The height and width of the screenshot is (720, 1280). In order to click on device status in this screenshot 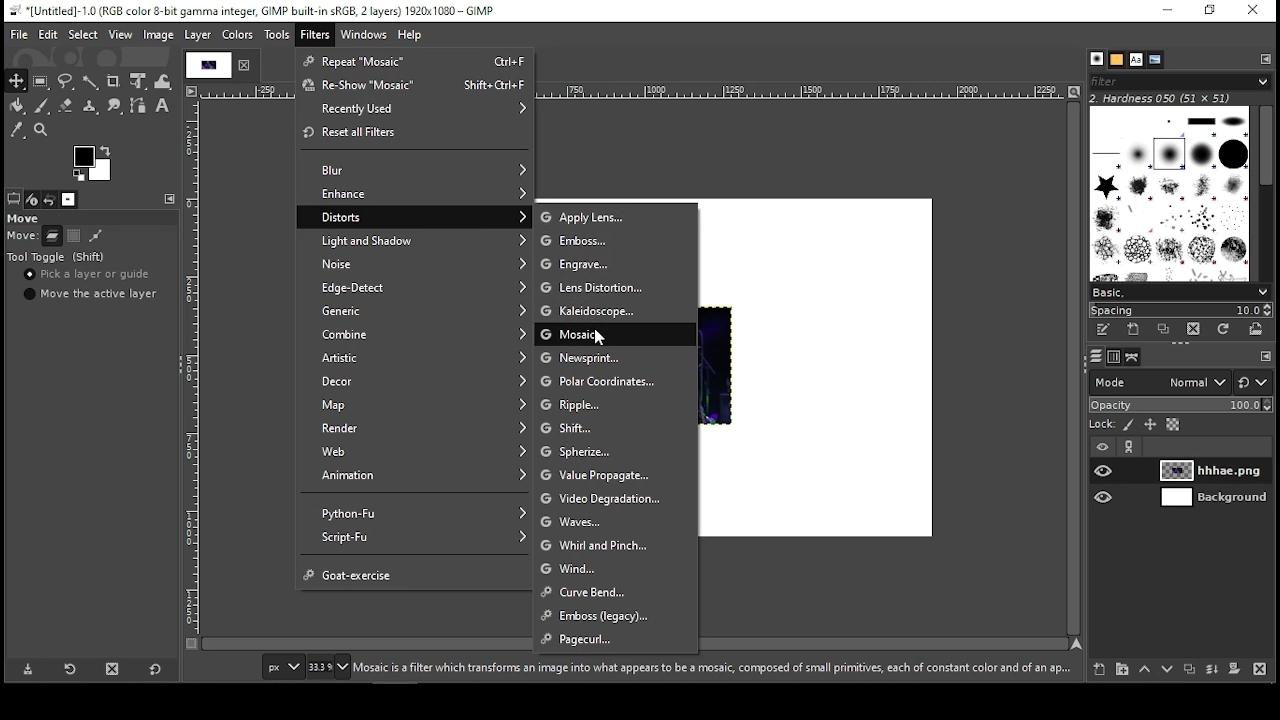, I will do `click(30, 199)`.